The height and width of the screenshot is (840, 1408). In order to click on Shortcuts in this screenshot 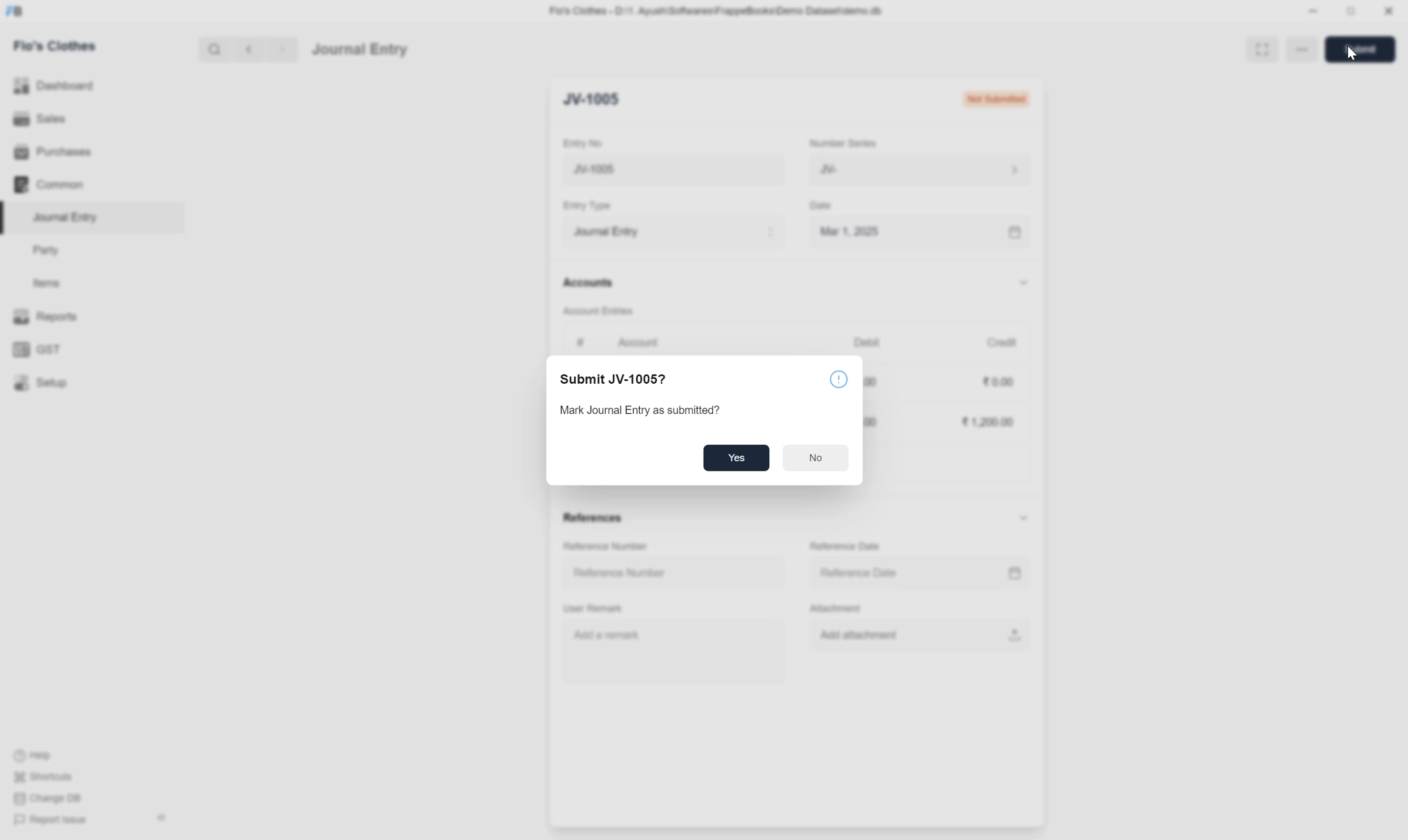, I will do `click(48, 777)`.